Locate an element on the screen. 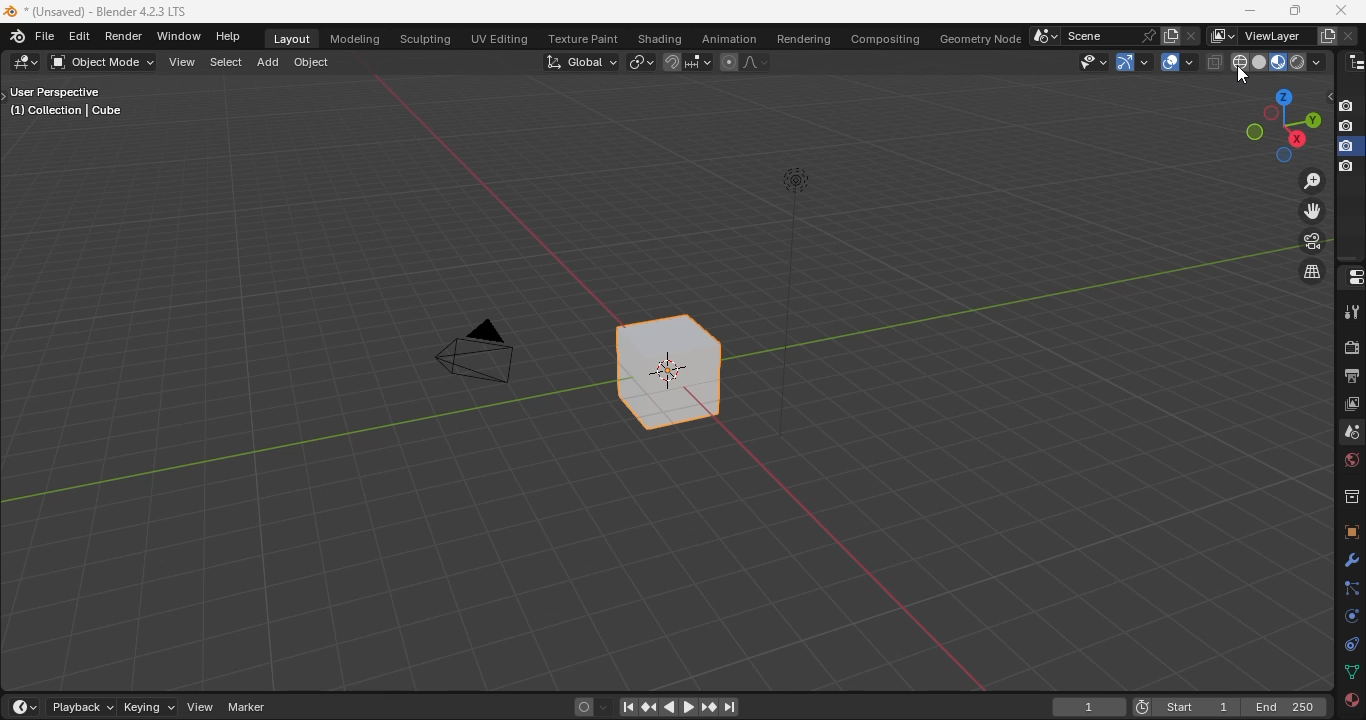 The image size is (1366, 720). new scene is located at coordinates (1171, 35).